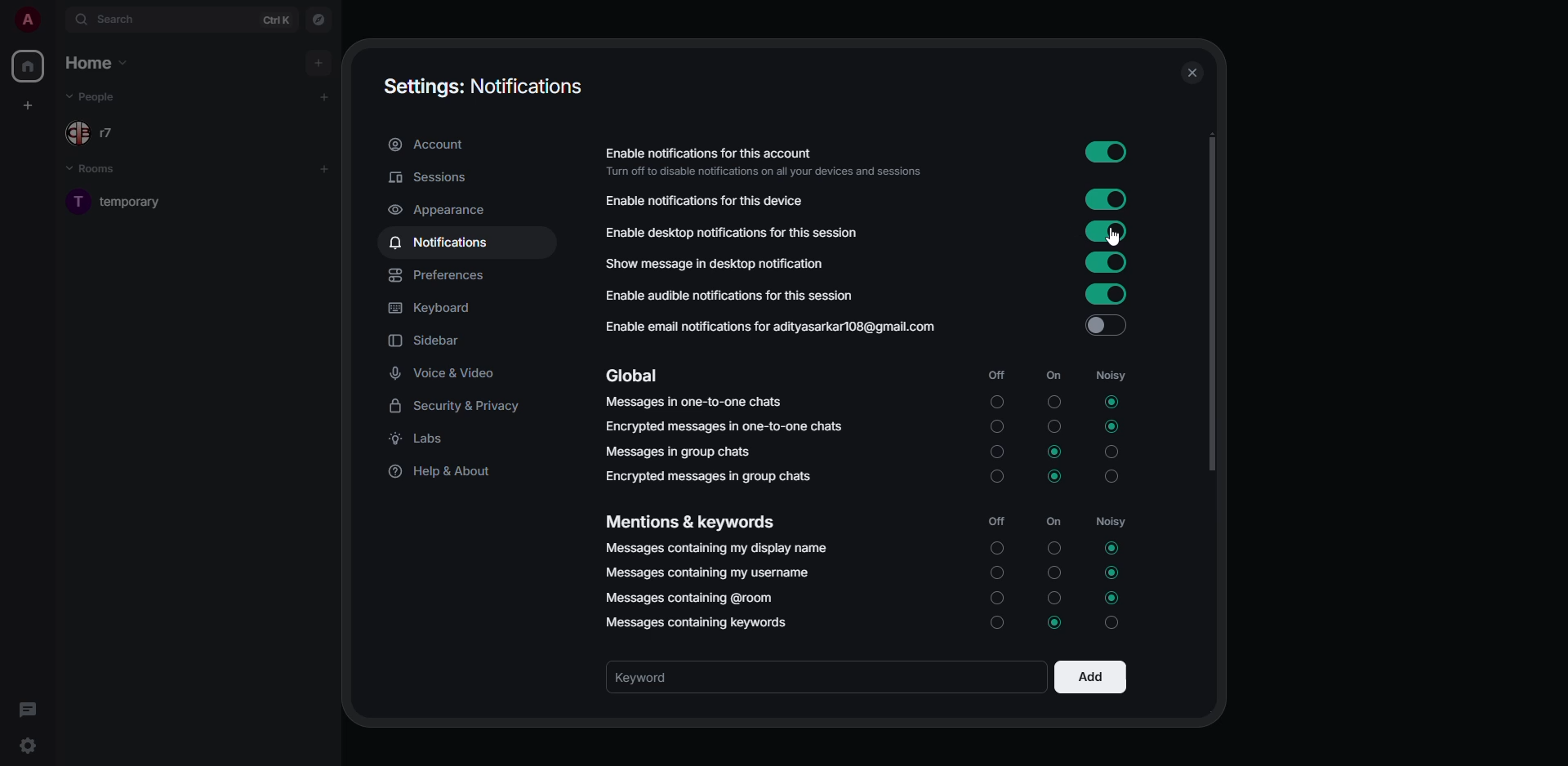  Describe the element at coordinates (1115, 572) in the screenshot. I see `selected` at that location.